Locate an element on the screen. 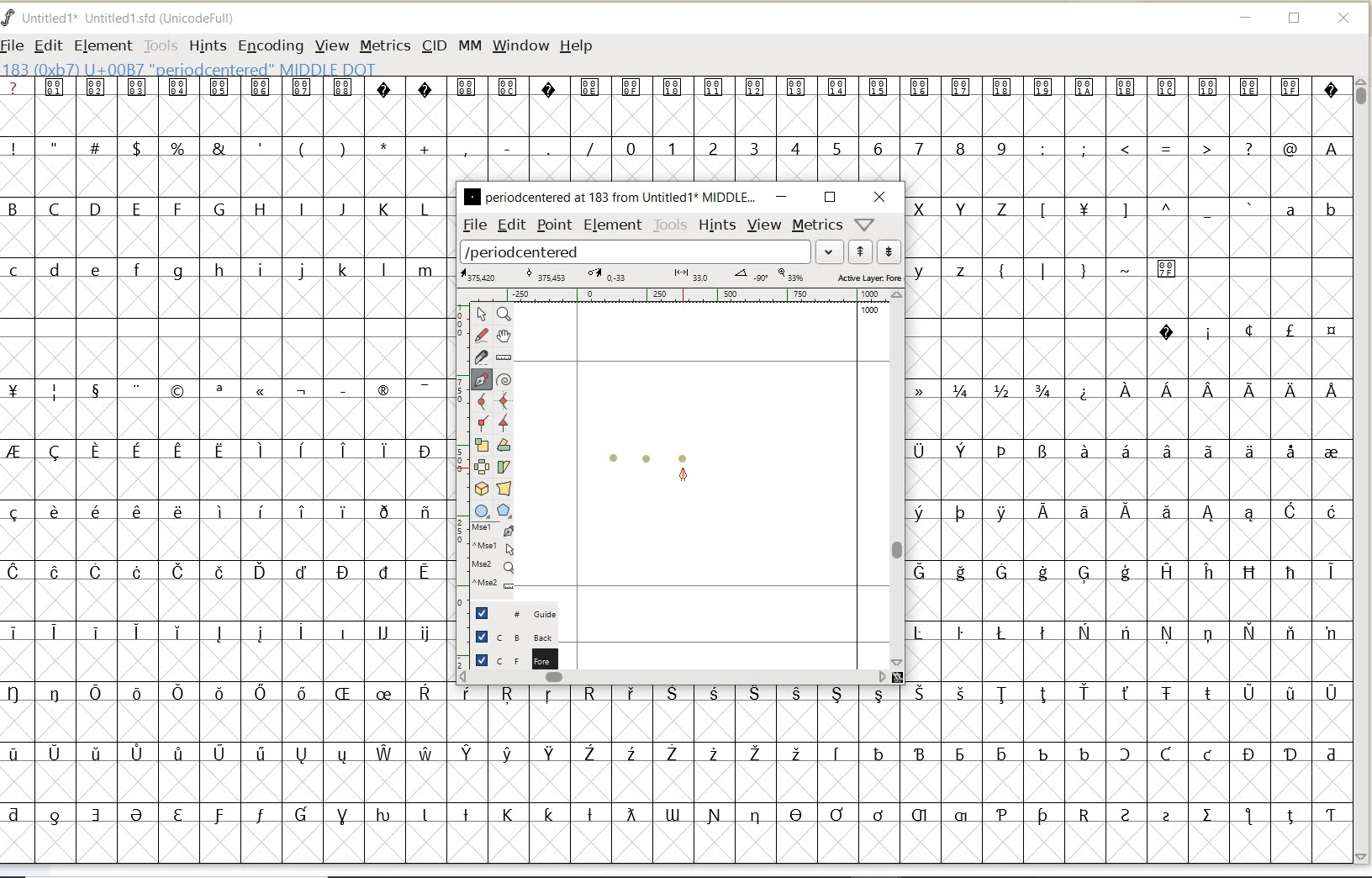 This screenshot has width=1372, height=878. rectangle or ellipse is located at coordinates (482, 510).